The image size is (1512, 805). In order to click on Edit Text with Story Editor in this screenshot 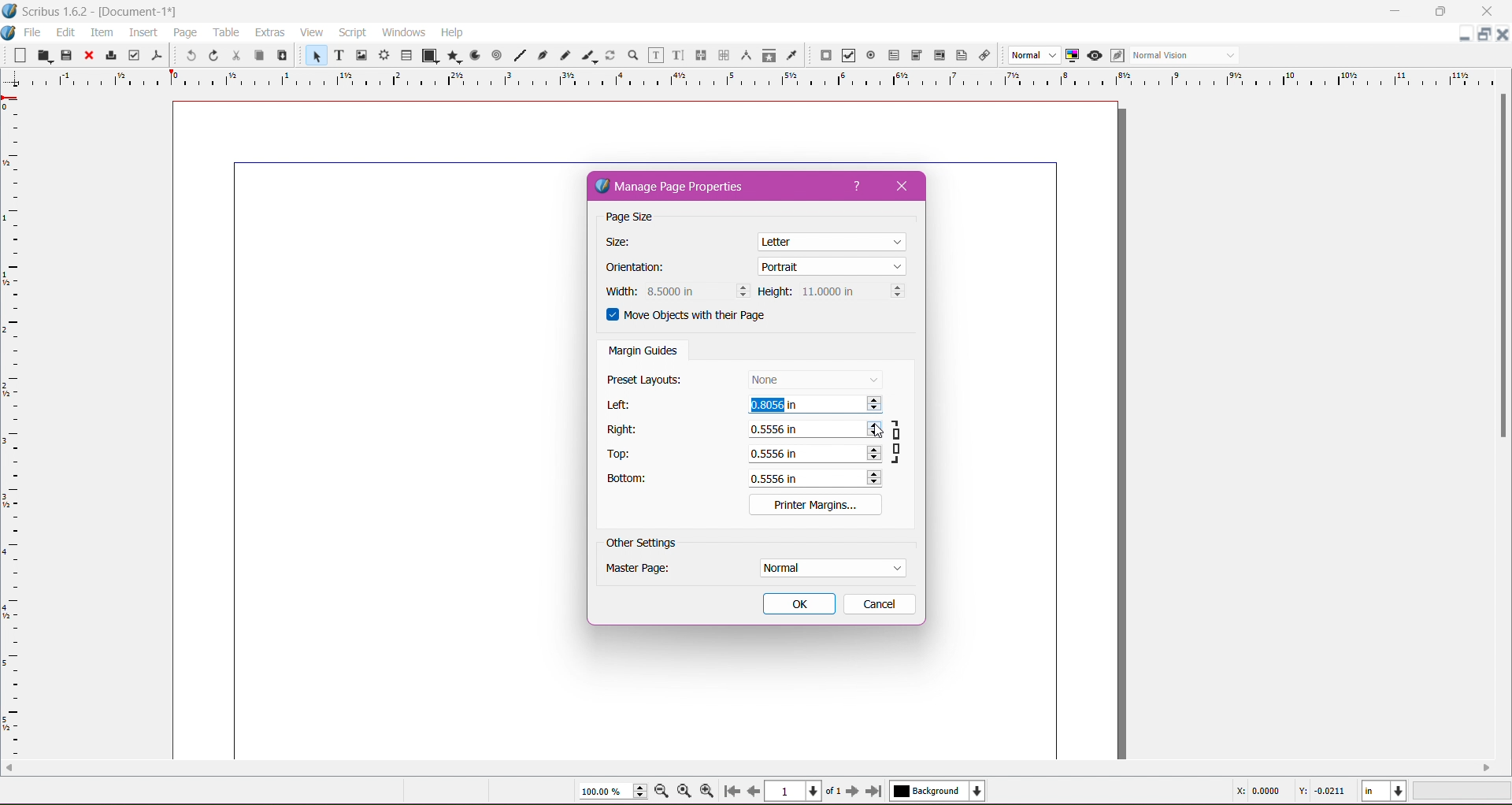, I will do `click(676, 55)`.